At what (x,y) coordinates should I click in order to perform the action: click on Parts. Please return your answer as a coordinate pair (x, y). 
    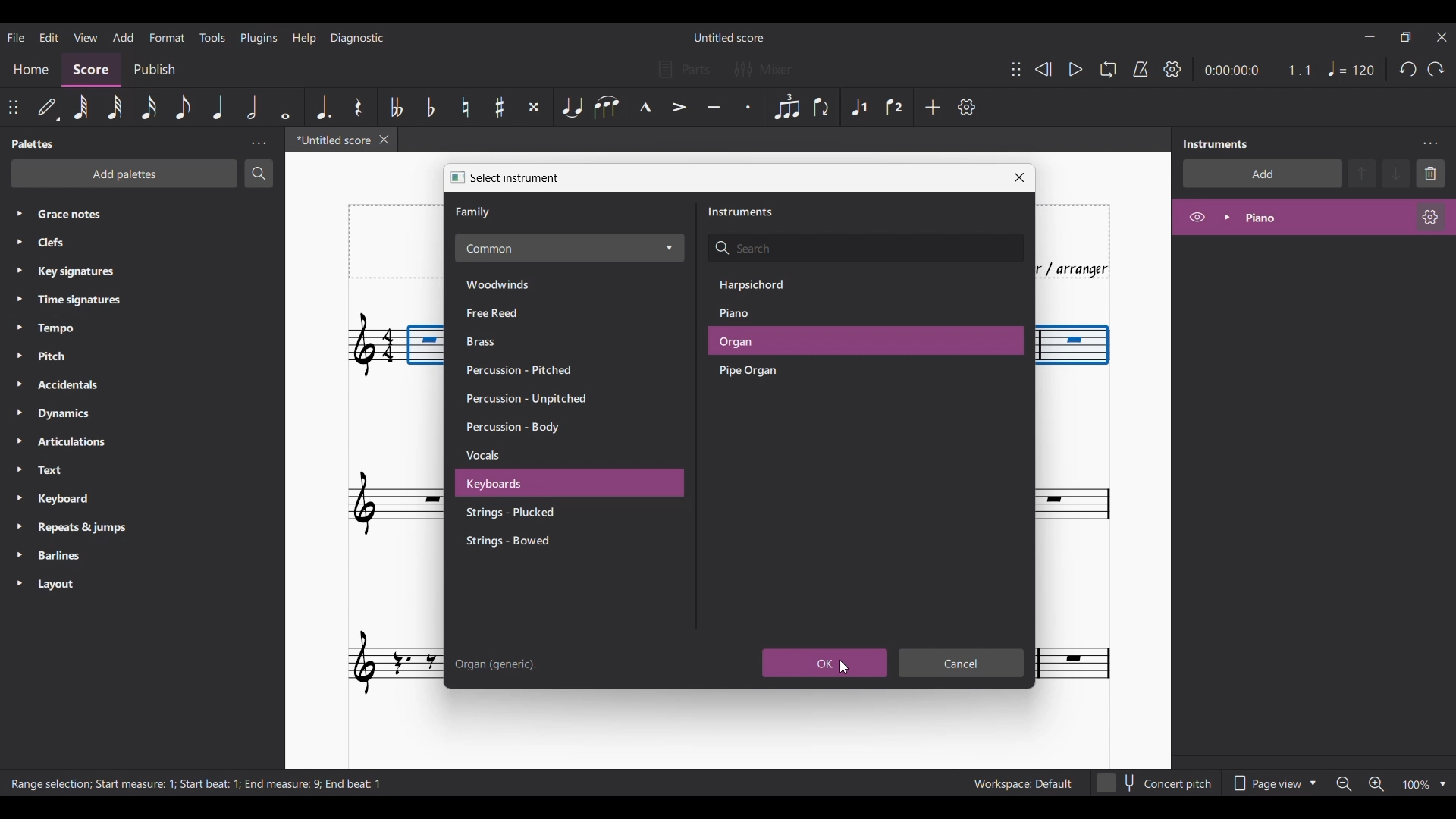
    Looking at the image, I should click on (684, 69).